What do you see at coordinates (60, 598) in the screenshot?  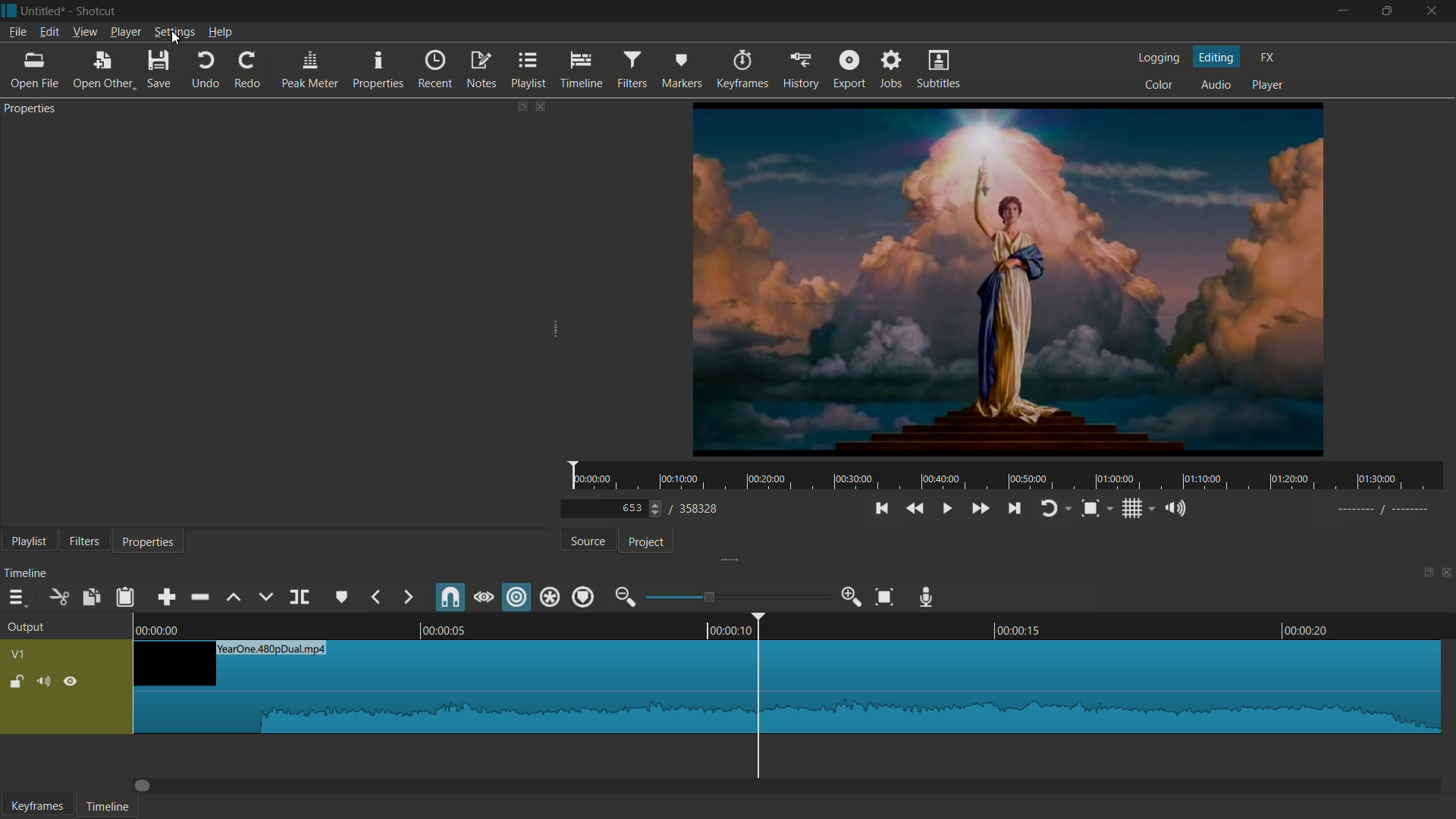 I see `cut` at bounding box center [60, 598].